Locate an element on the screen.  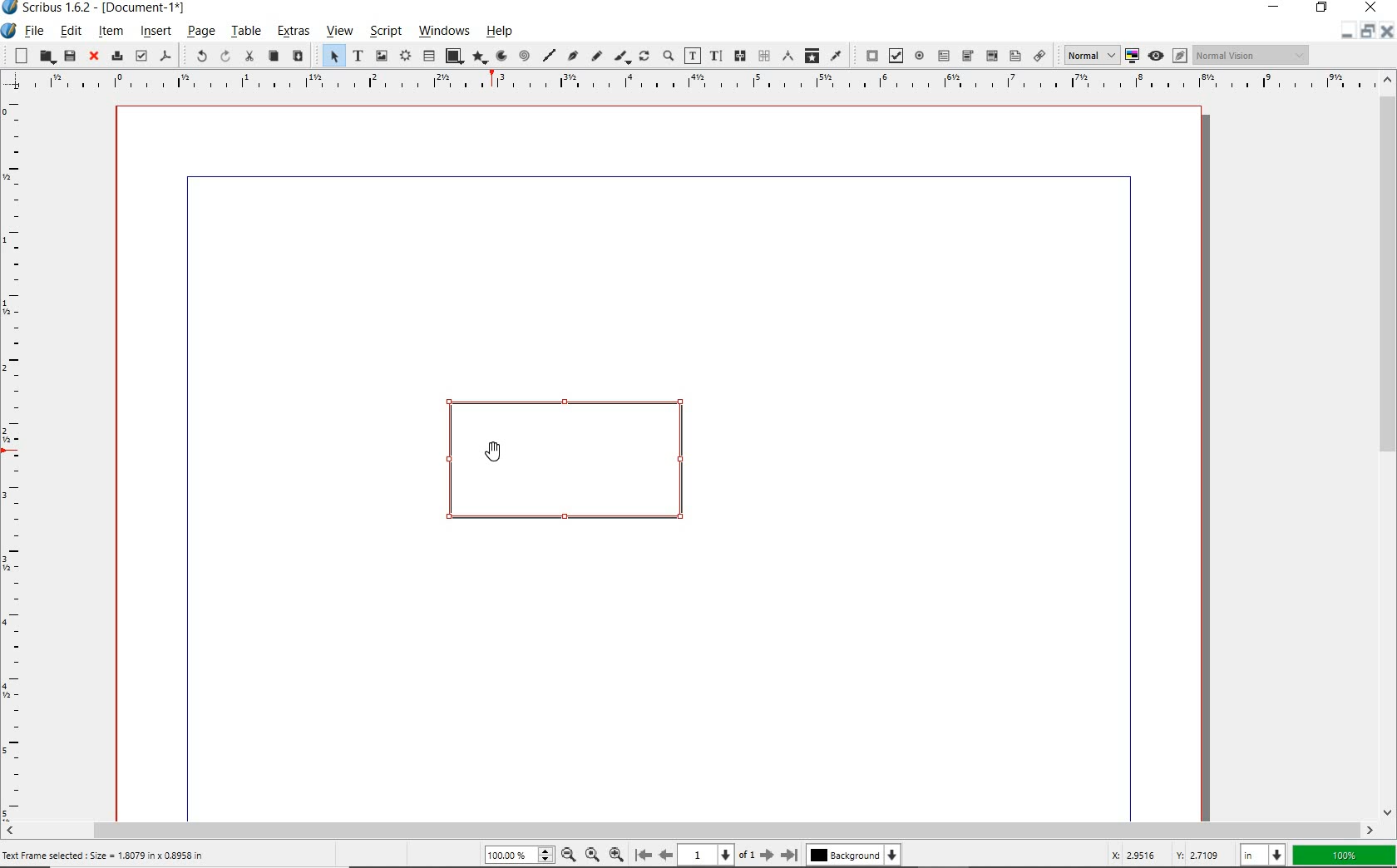
view is located at coordinates (342, 32).